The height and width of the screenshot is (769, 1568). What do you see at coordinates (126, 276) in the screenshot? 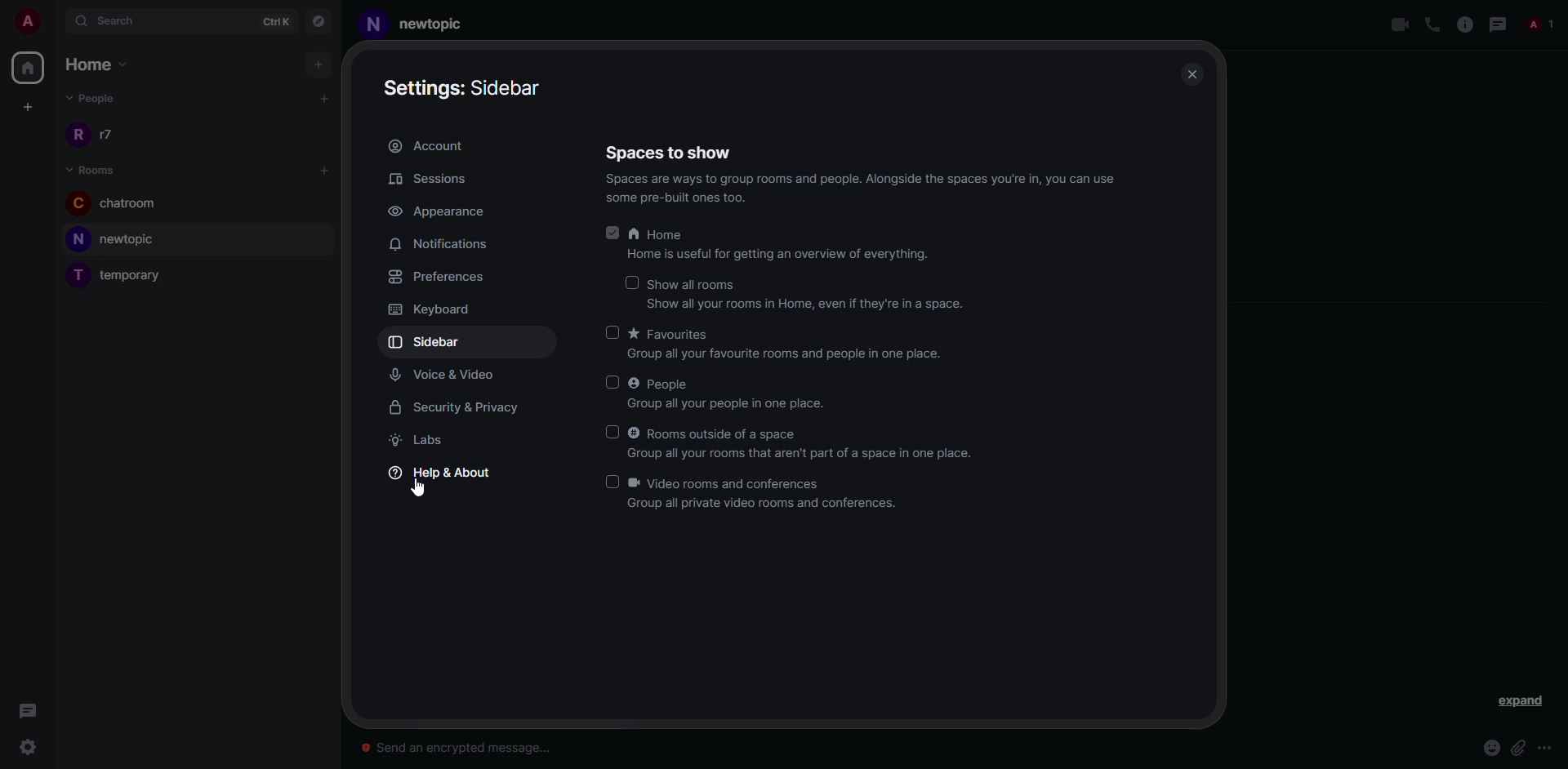
I see `room` at bounding box center [126, 276].